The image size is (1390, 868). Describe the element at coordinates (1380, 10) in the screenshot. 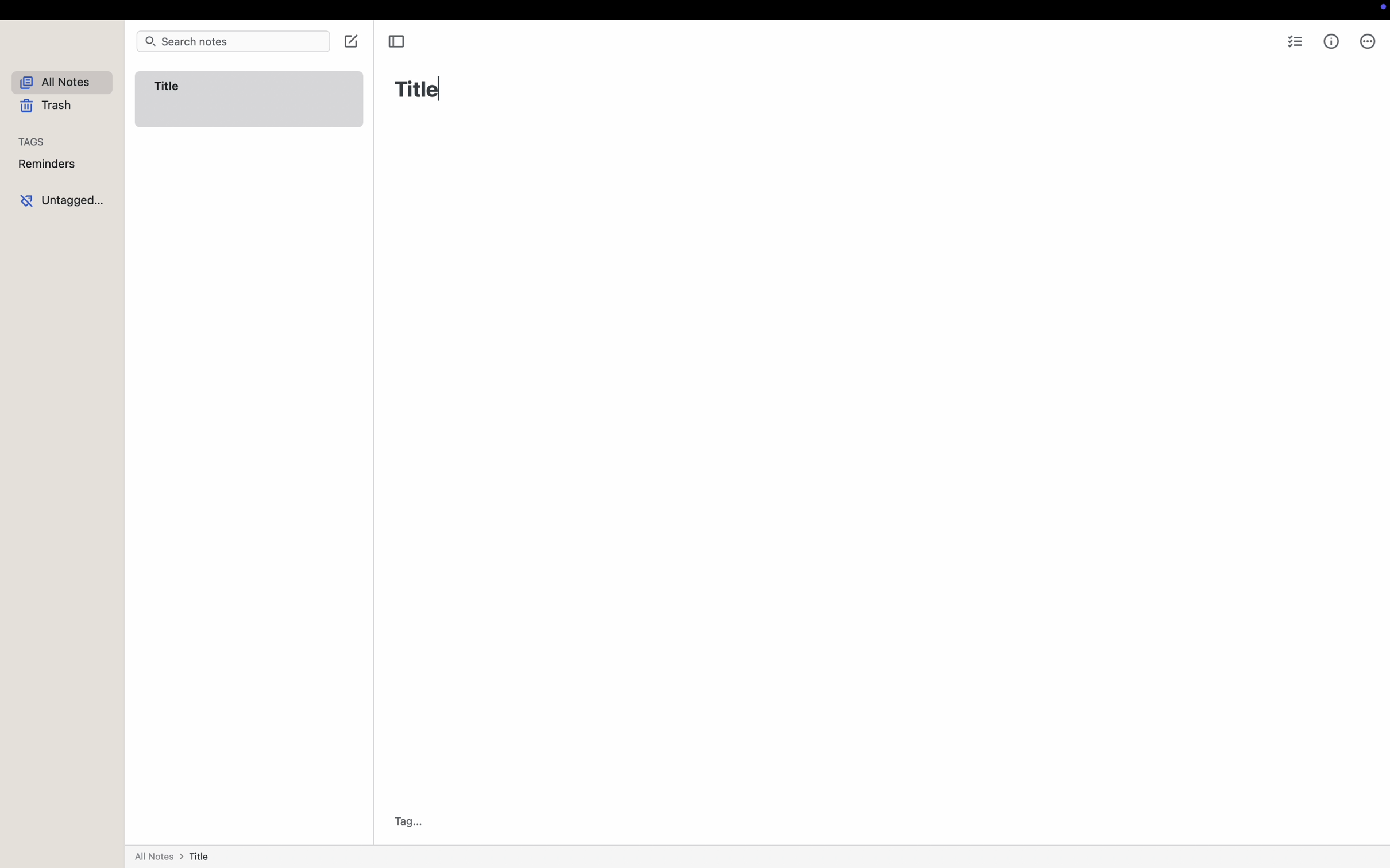

I see `screen controls` at that location.